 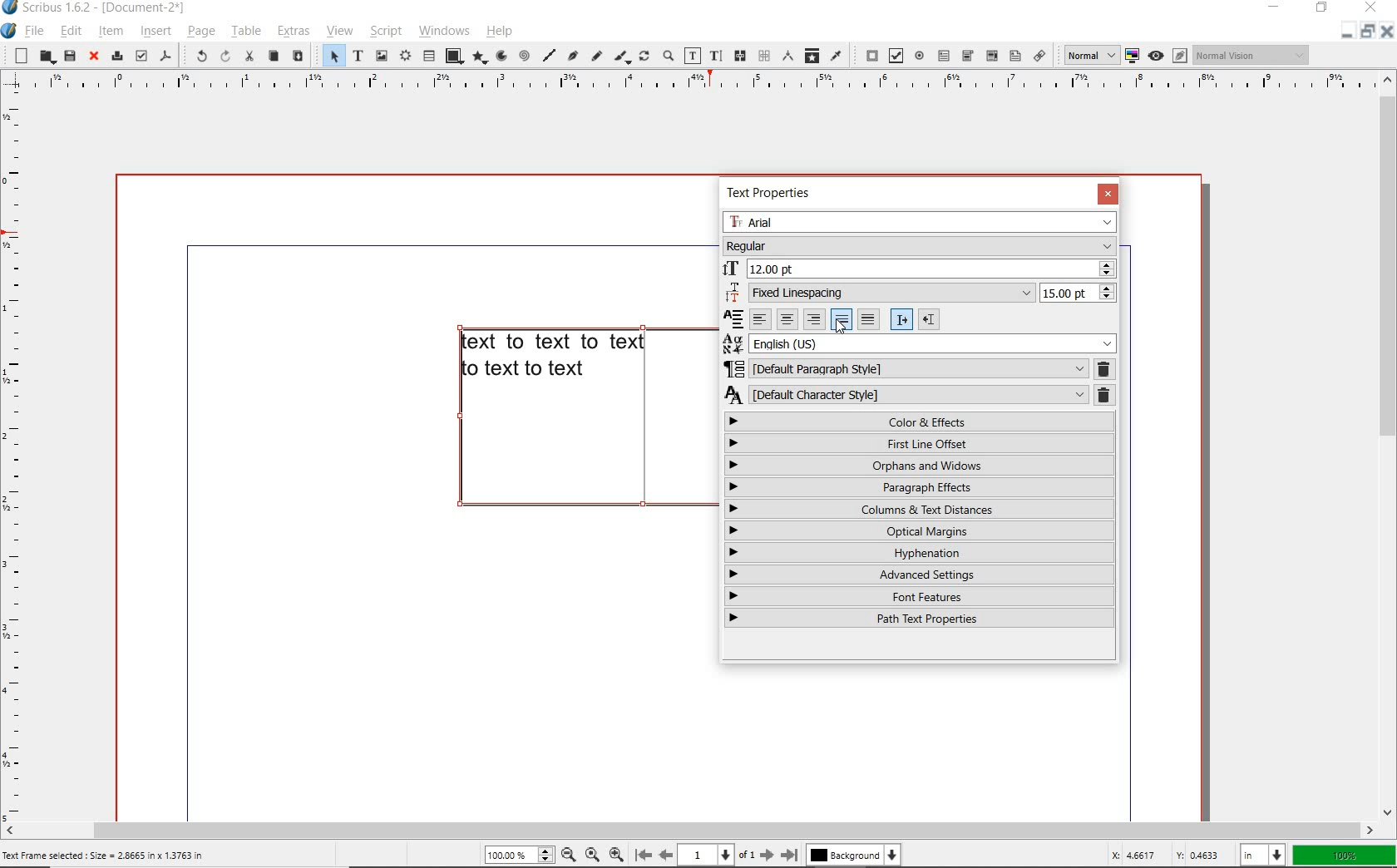 I want to click on cursor, so click(x=841, y=328).